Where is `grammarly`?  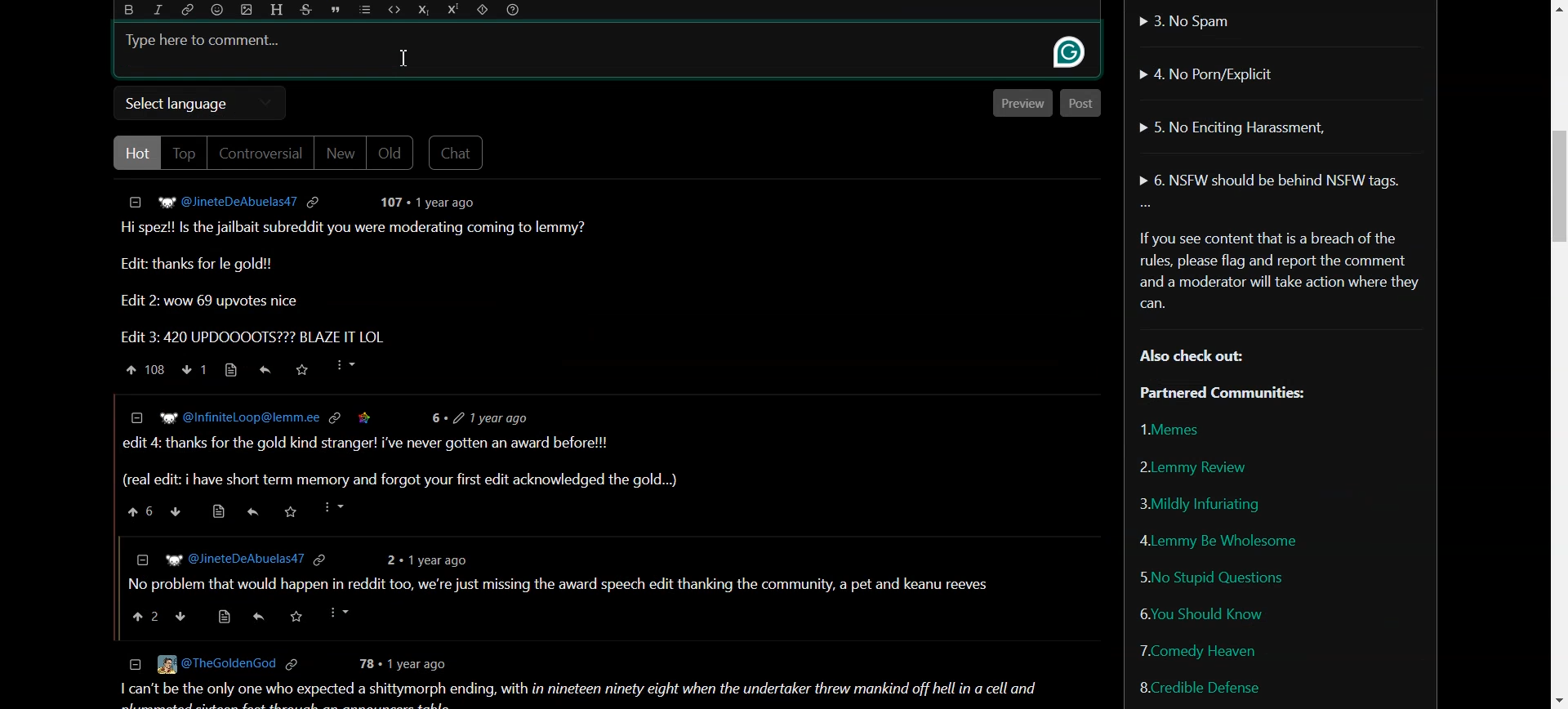 grammarly is located at coordinates (1070, 48).